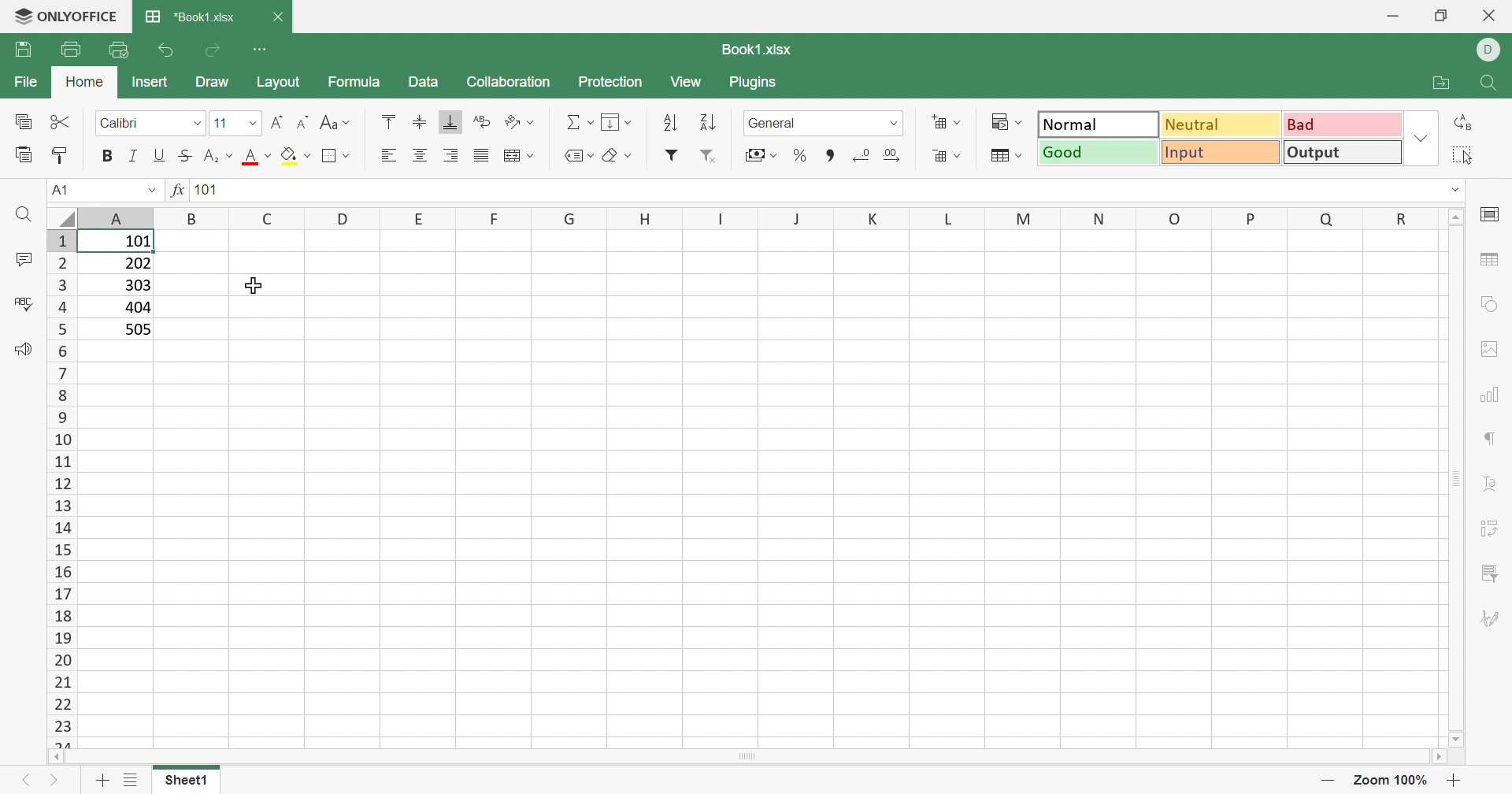  I want to click on Input, so click(1220, 153).